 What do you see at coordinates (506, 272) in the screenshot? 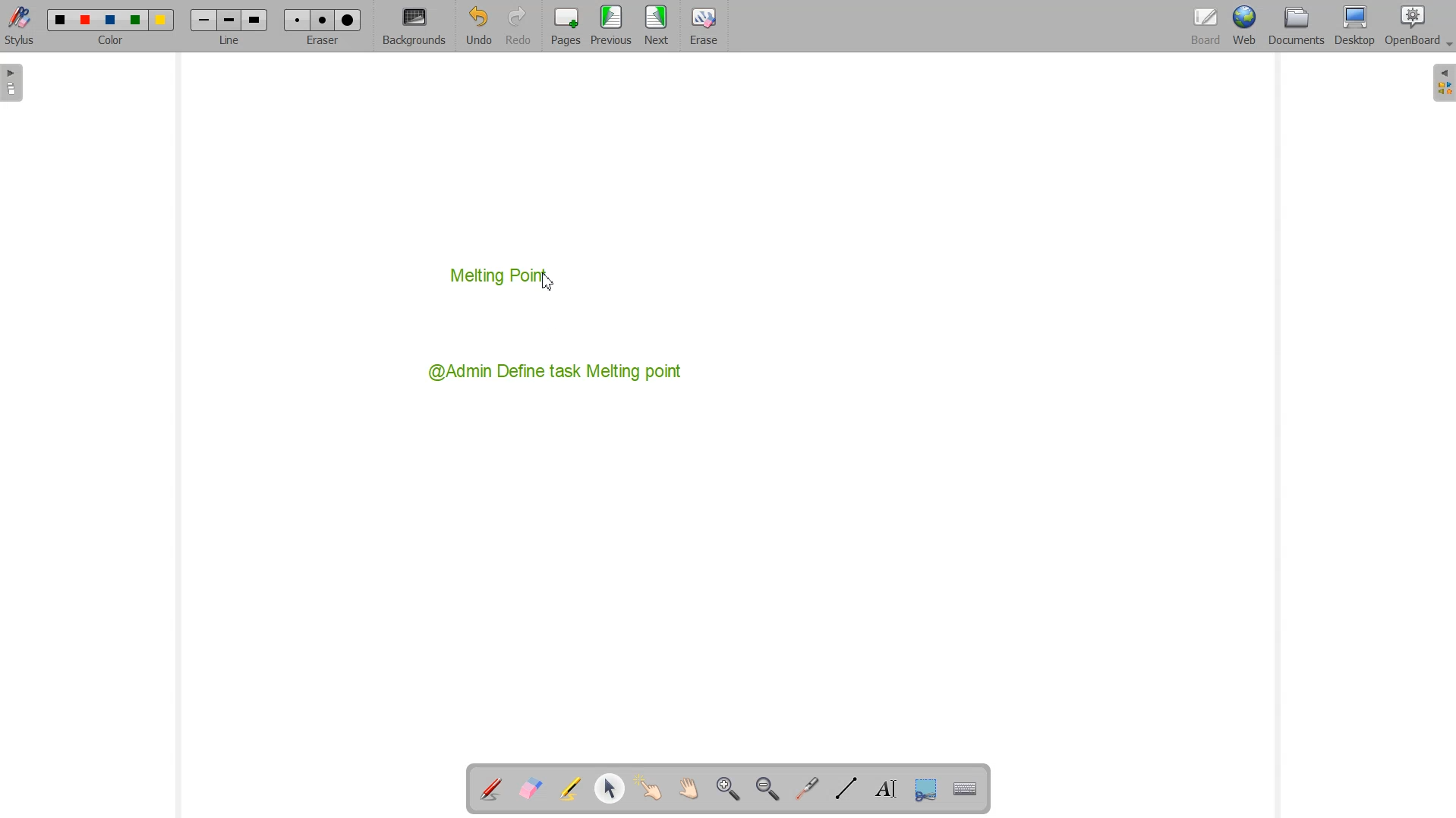
I see `Melting Point` at bounding box center [506, 272].